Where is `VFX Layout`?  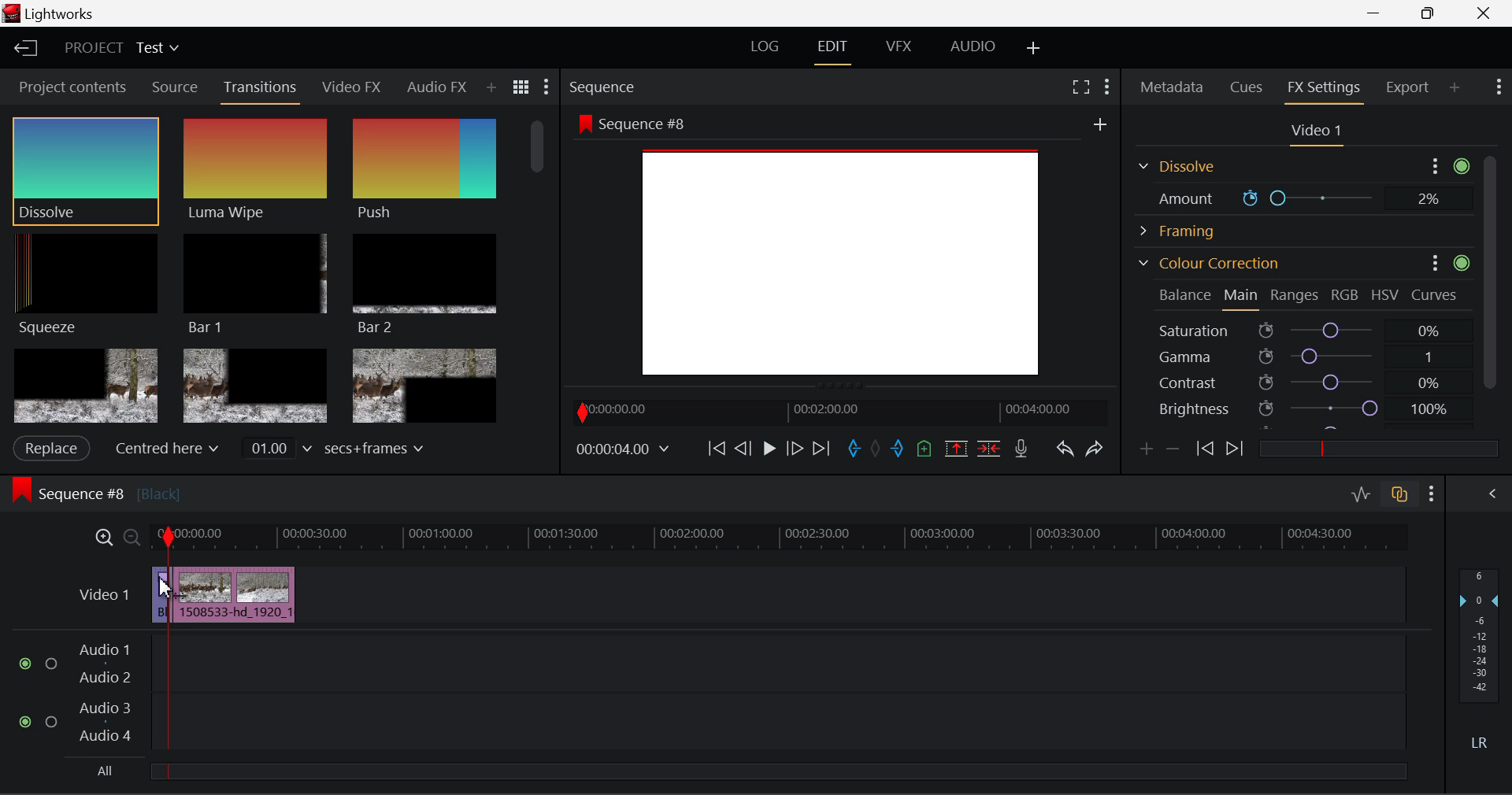 VFX Layout is located at coordinates (902, 48).